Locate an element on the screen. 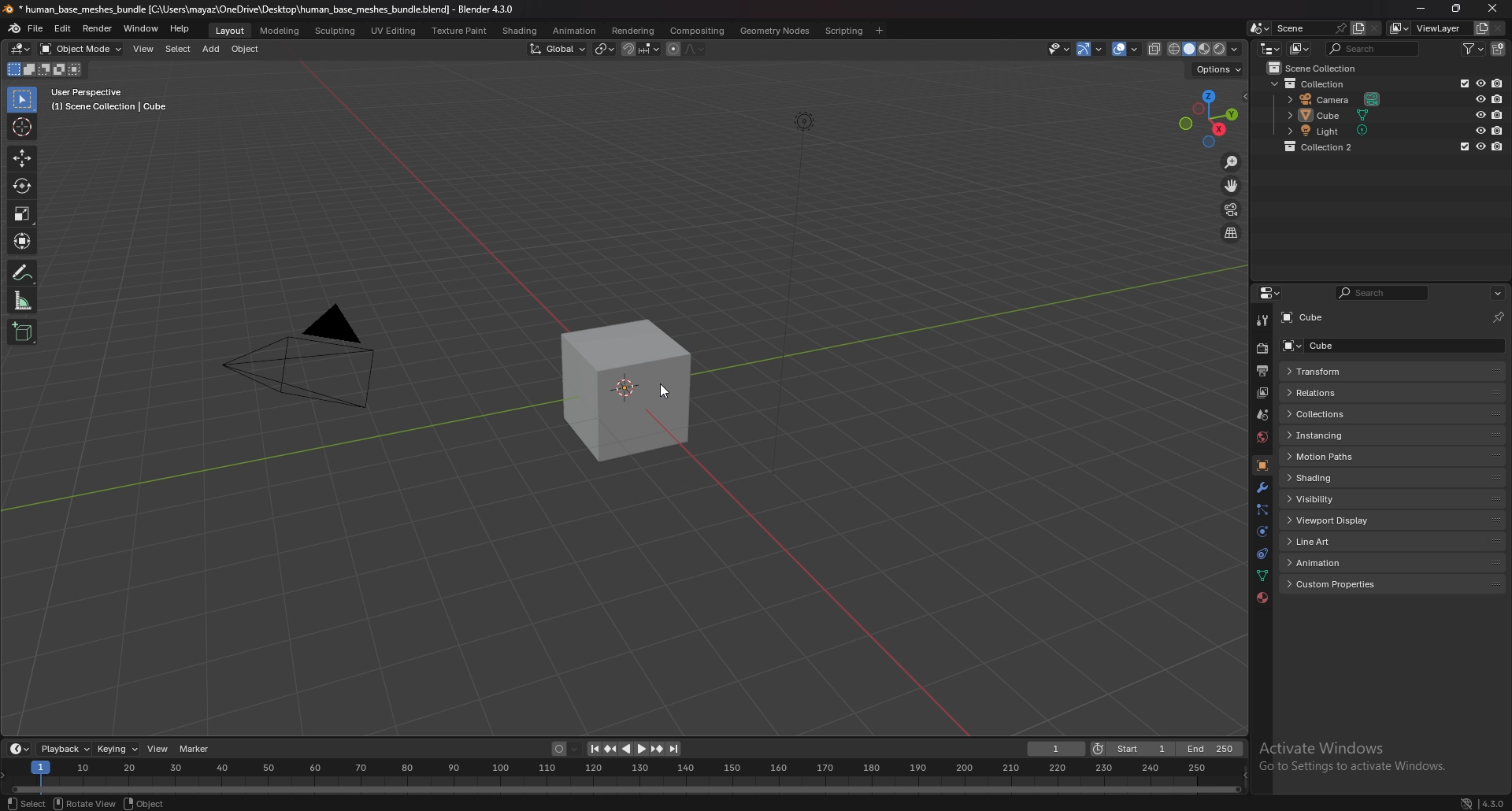  editor type is located at coordinates (1270, 48).